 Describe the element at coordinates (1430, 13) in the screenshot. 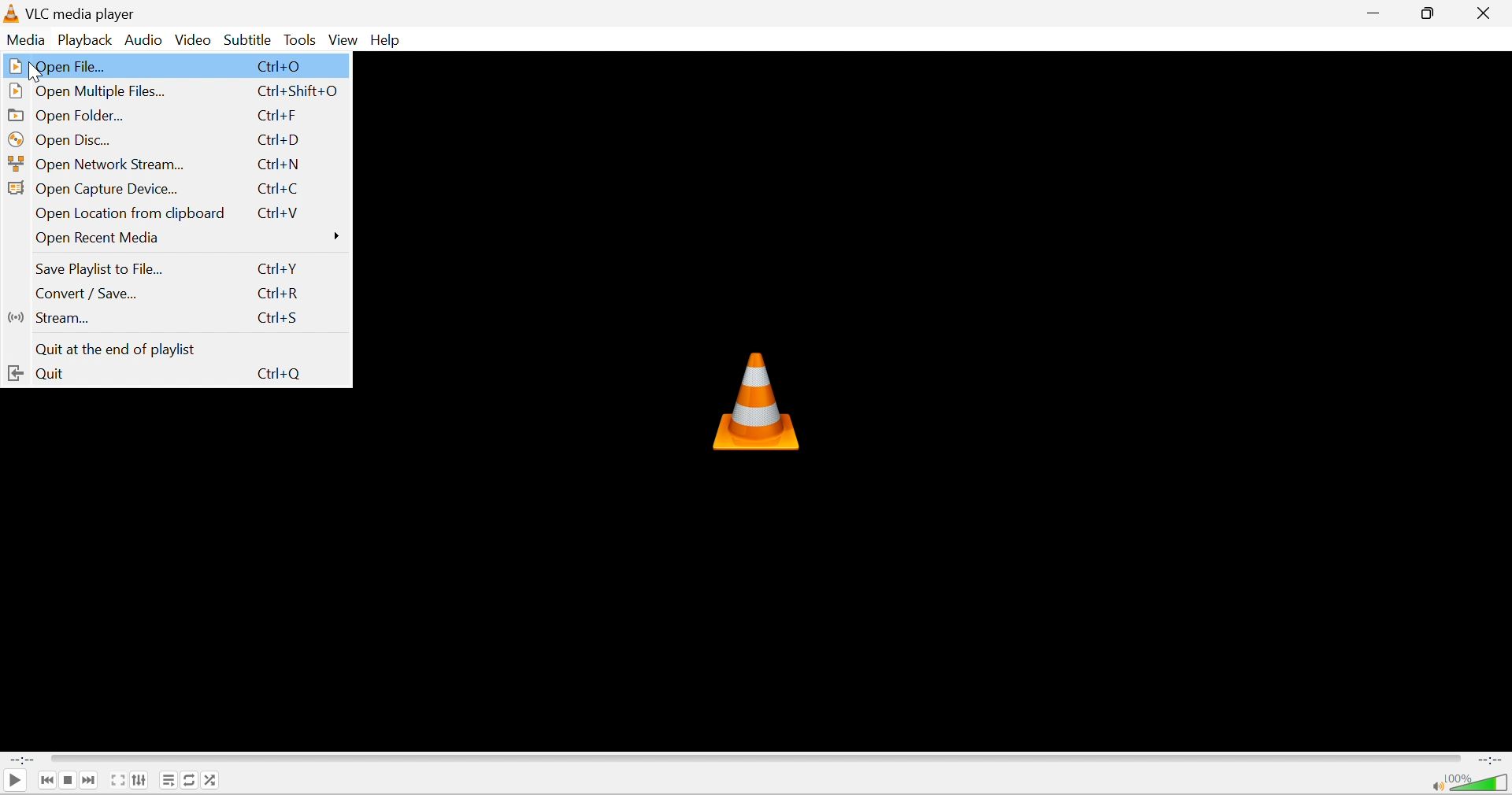

I see `Restore Down` at that location.